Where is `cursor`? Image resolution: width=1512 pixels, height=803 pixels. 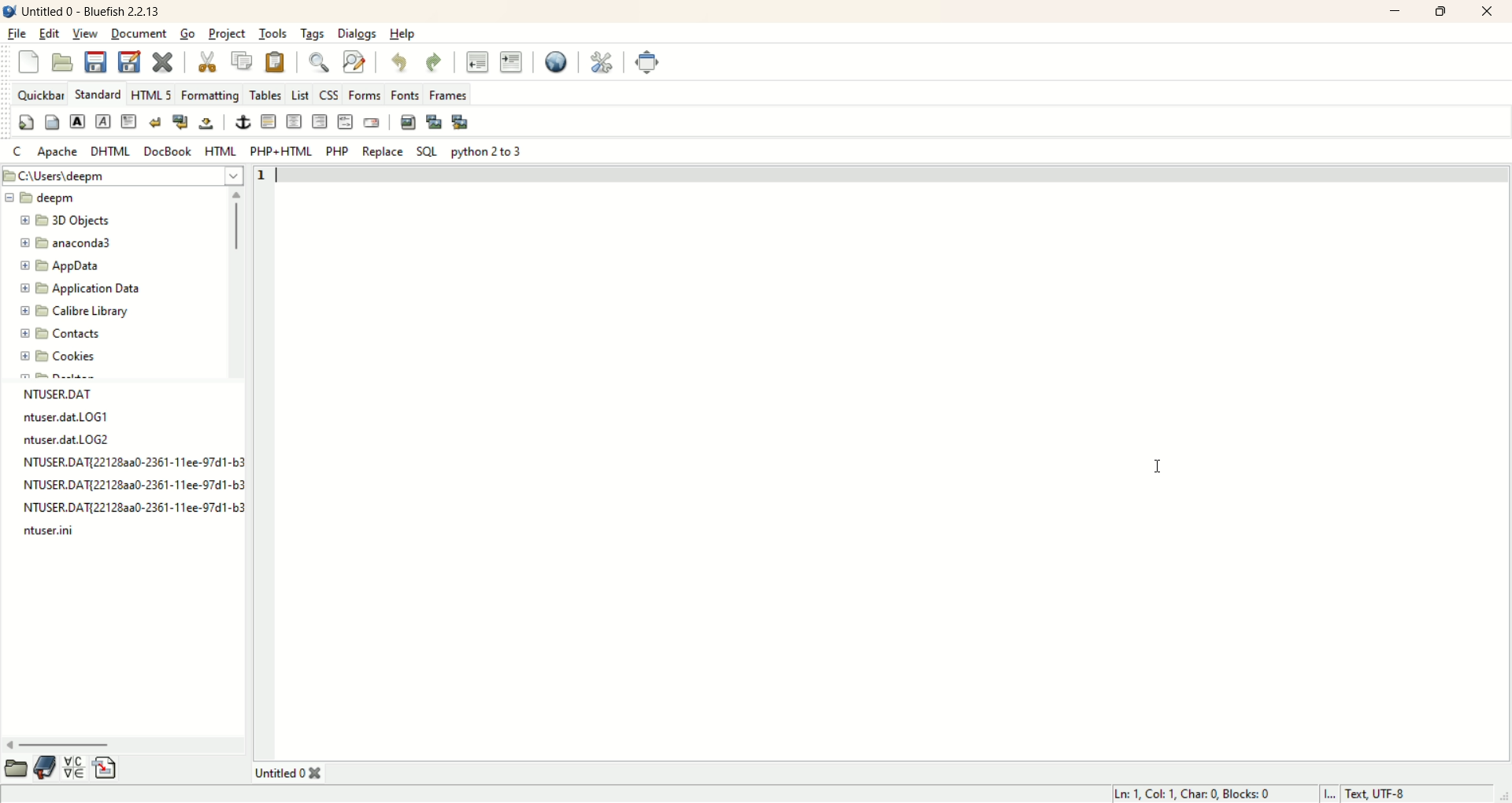 cursor is located at coordinates (1158, 467).